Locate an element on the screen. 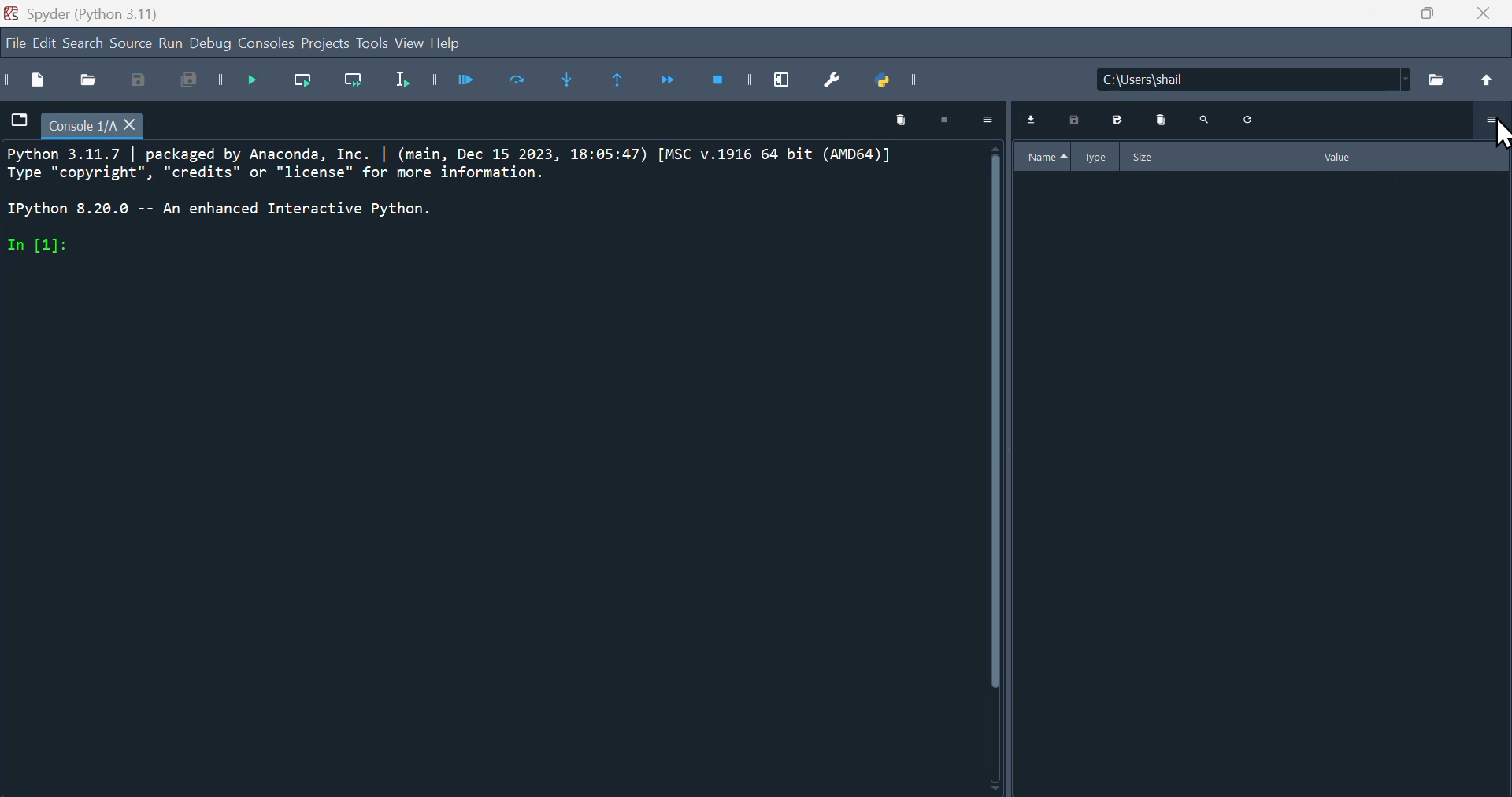 The height and width of the screenshot is (797, 1512). Save as is located at coordinates (136, 80).